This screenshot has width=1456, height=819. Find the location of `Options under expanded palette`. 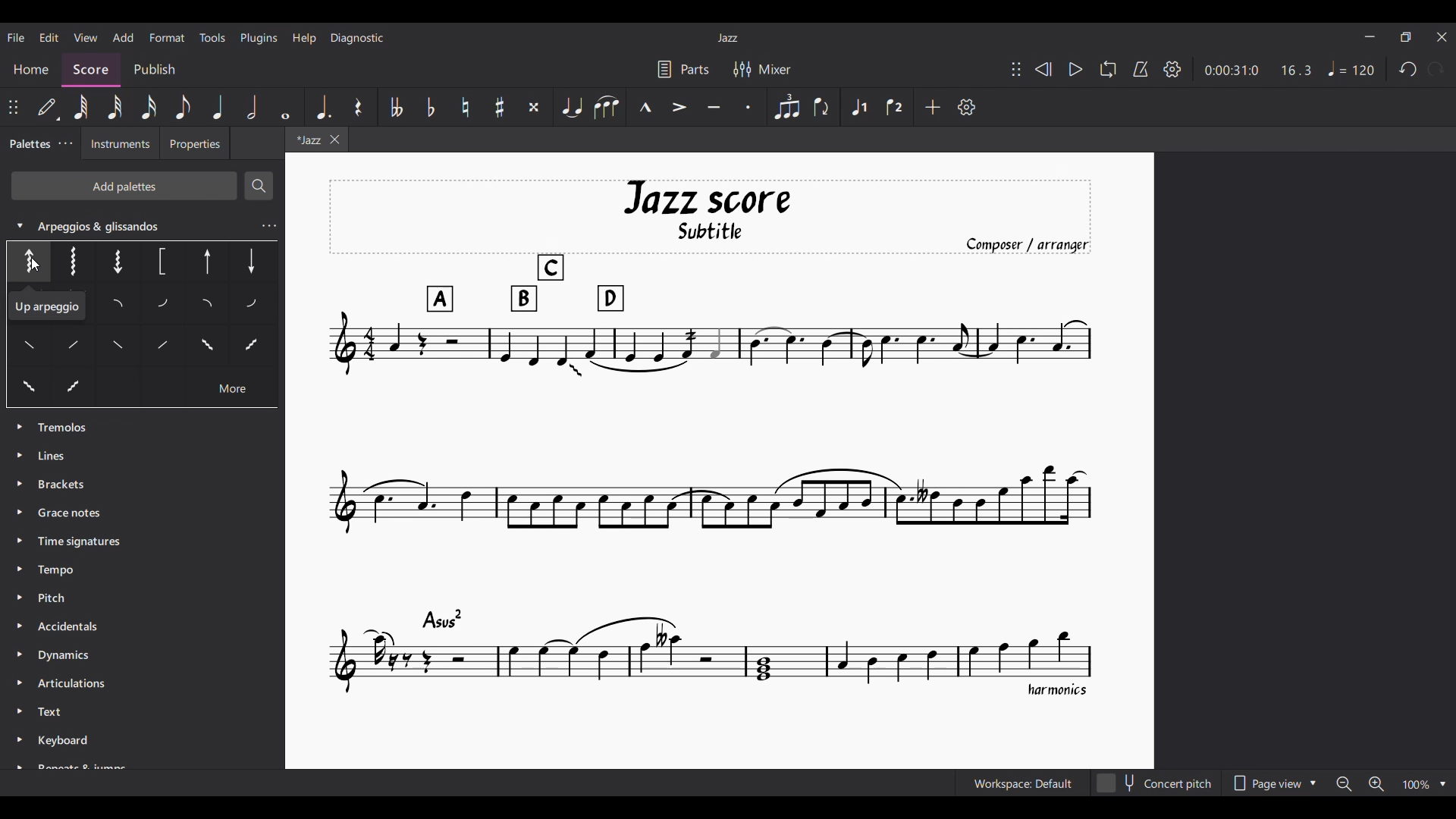

Options under expanded palette is located at coordinates (27, 262).